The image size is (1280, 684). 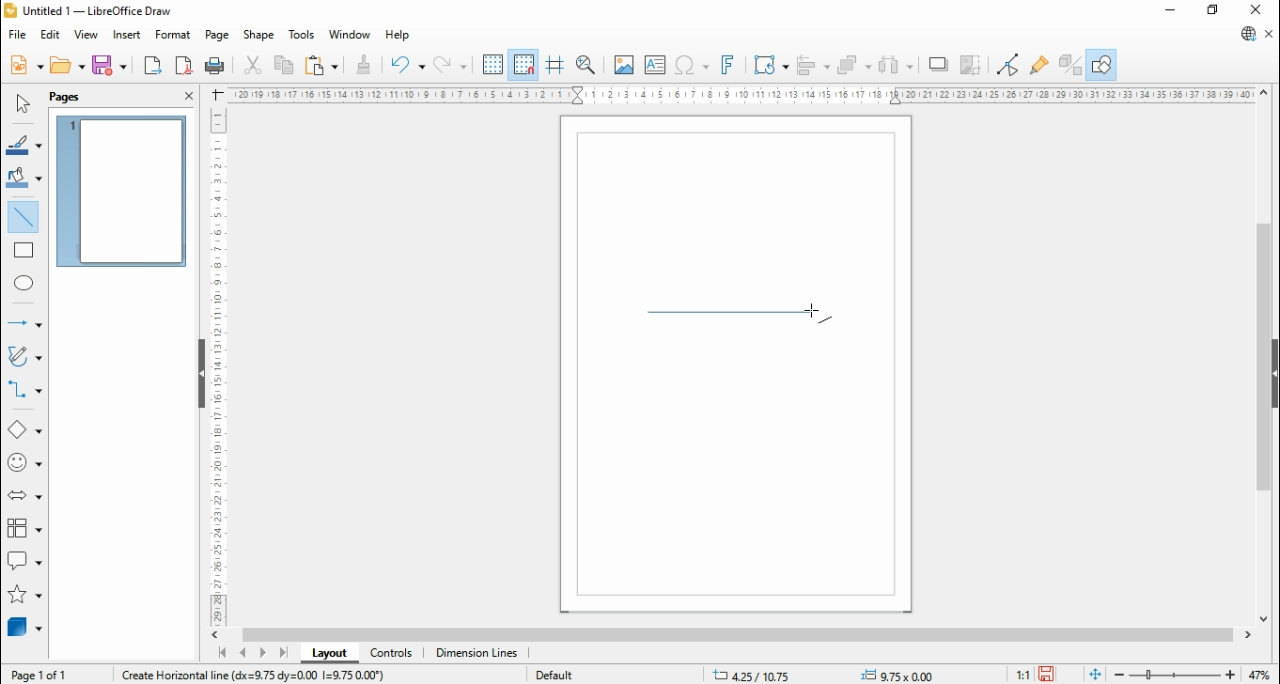 What do you see at coordinates (349, 36) in the screenshot?
I see `window` at bounding box center [349, 36].